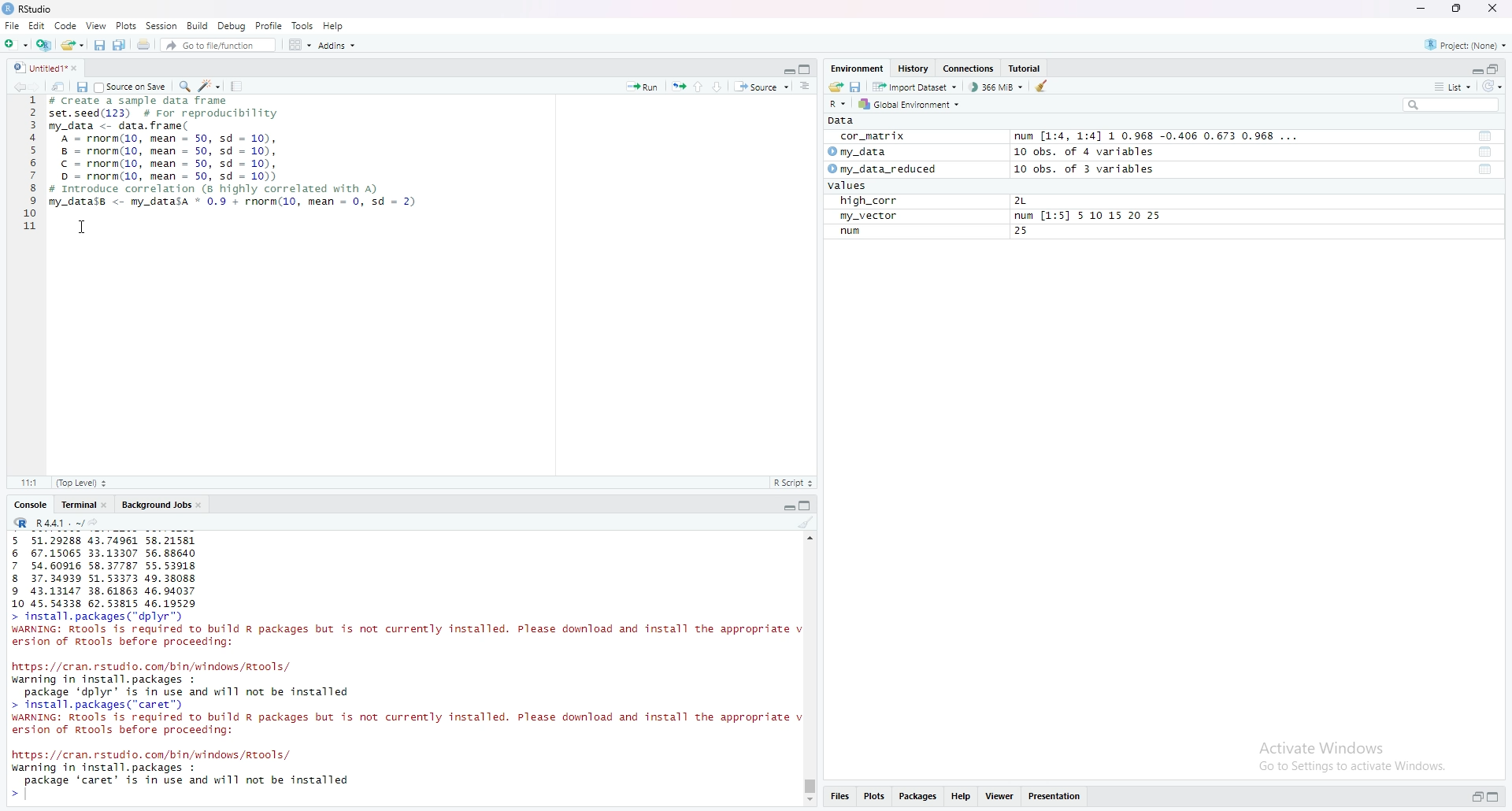 The width and height of the screenshot is (1512, 811). I want to click on Collapse, so click(787, 71).